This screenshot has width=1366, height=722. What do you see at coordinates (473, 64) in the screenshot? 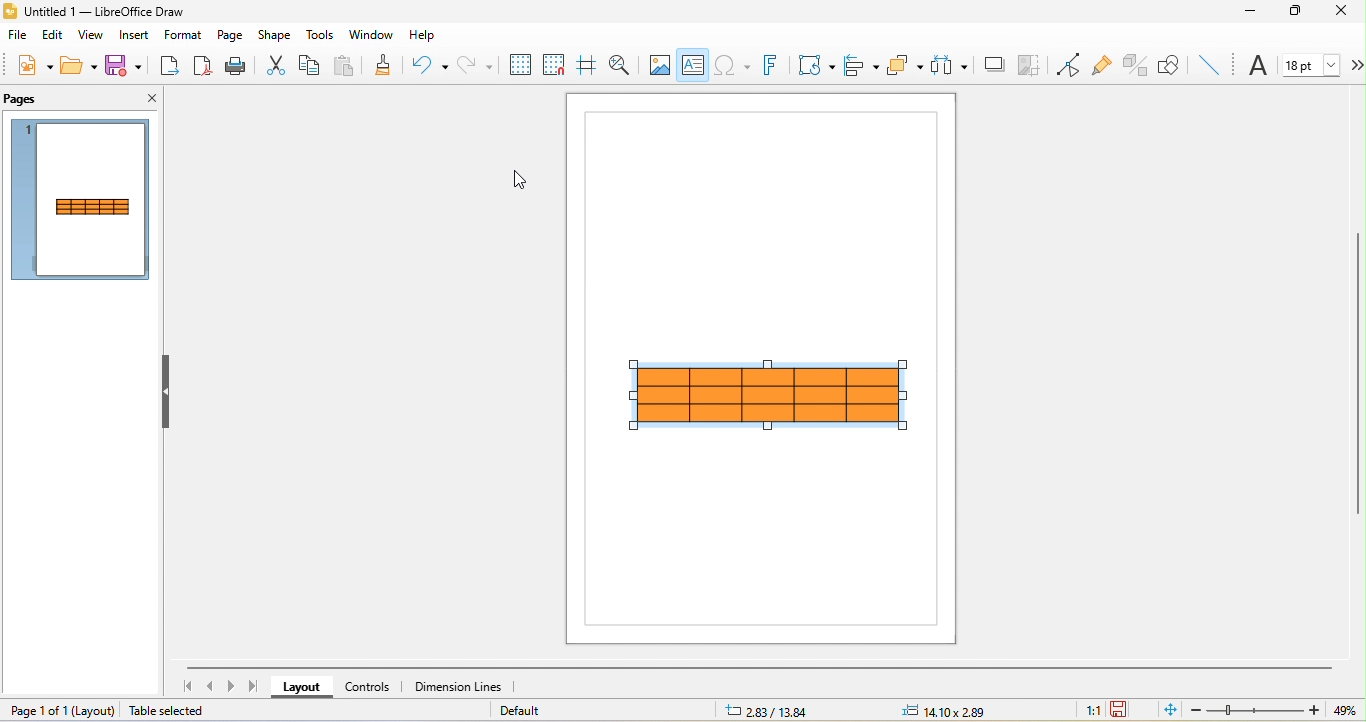
I see `redo` at bounding box center [473, 64].